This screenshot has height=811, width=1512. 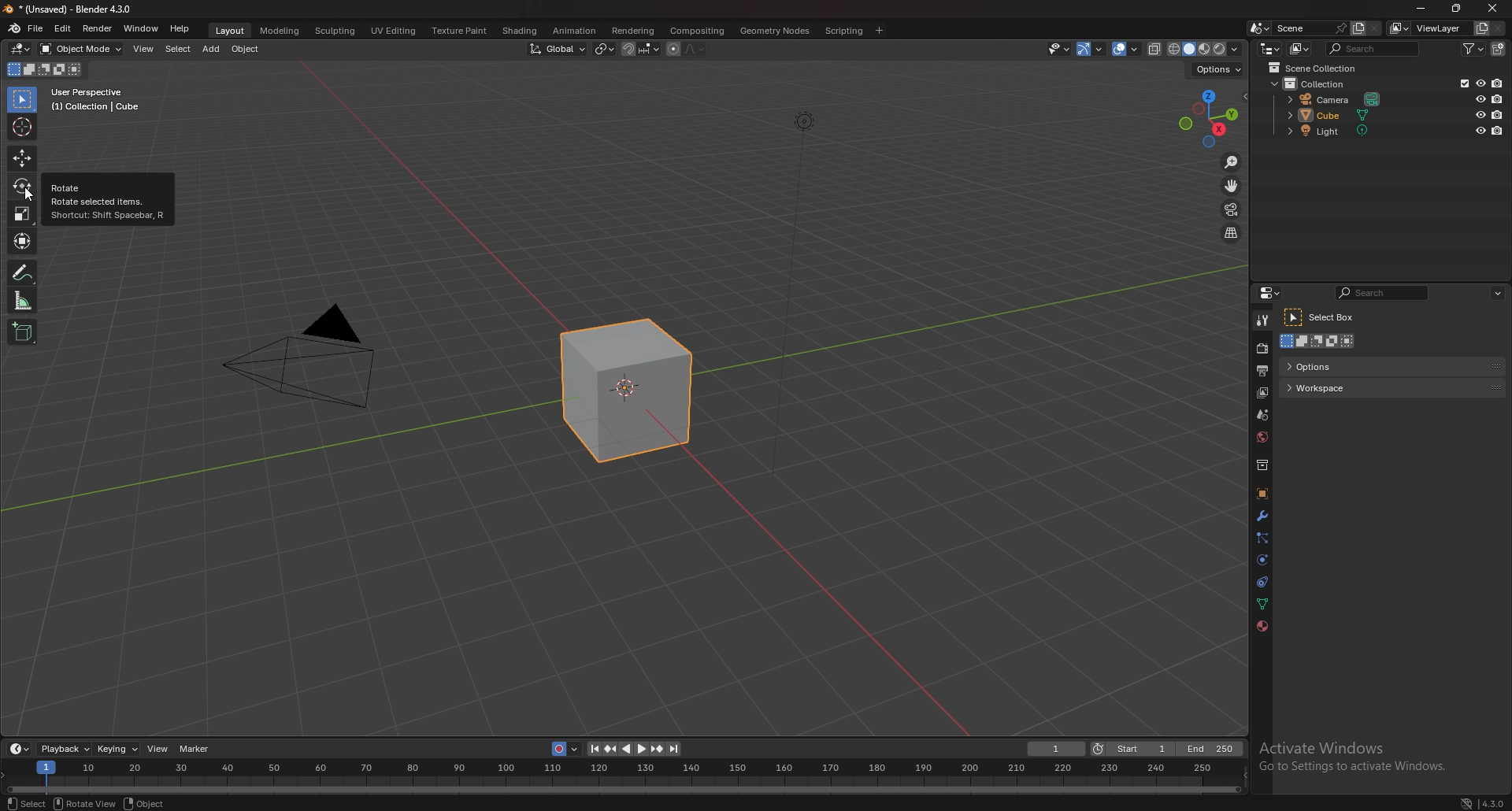 I want to click on version, so click(x=1483, y=803).